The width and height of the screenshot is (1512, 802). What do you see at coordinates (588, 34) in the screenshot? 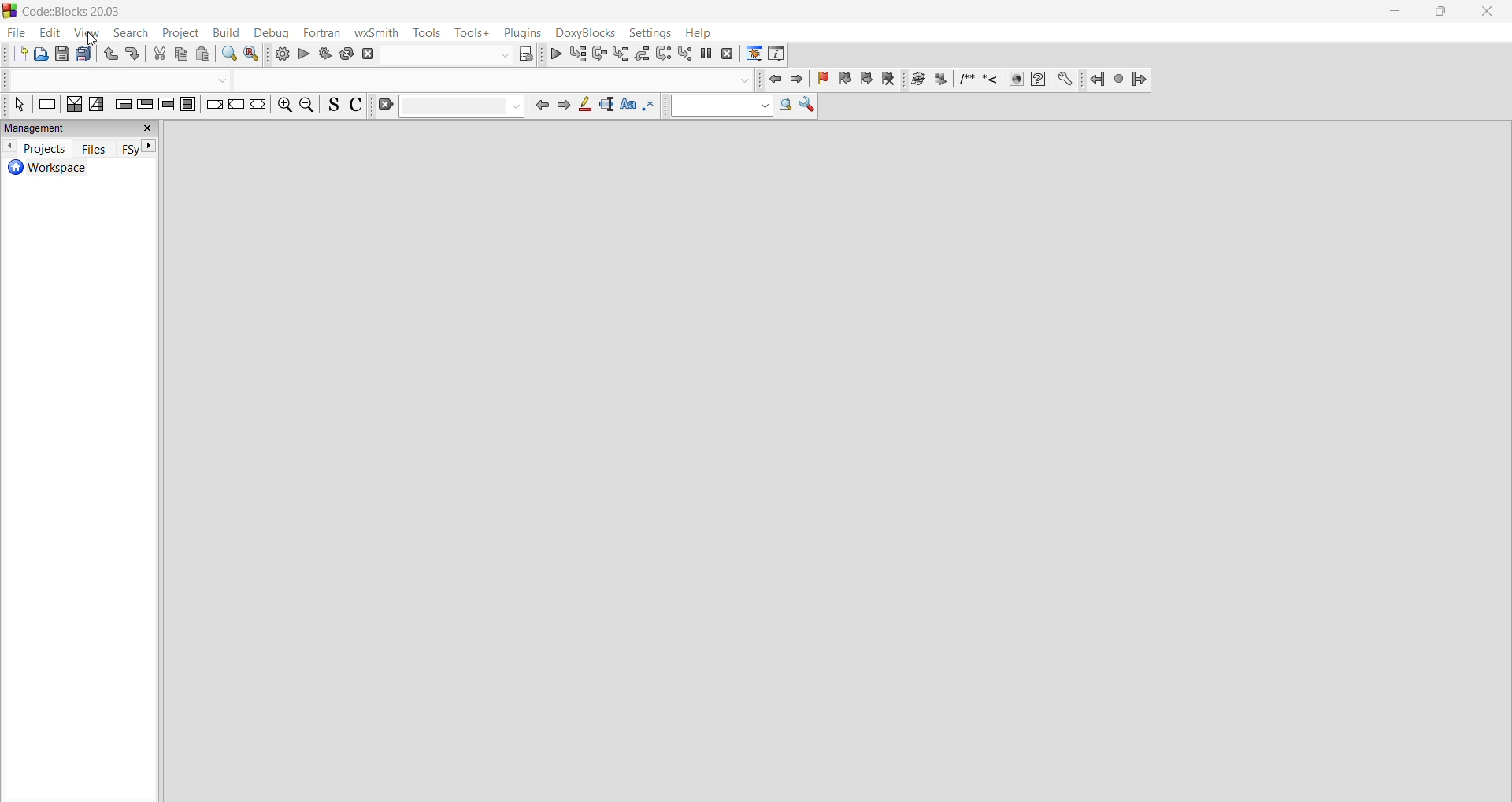
I see `doxyBlocks` at bounding box center [588, 34].